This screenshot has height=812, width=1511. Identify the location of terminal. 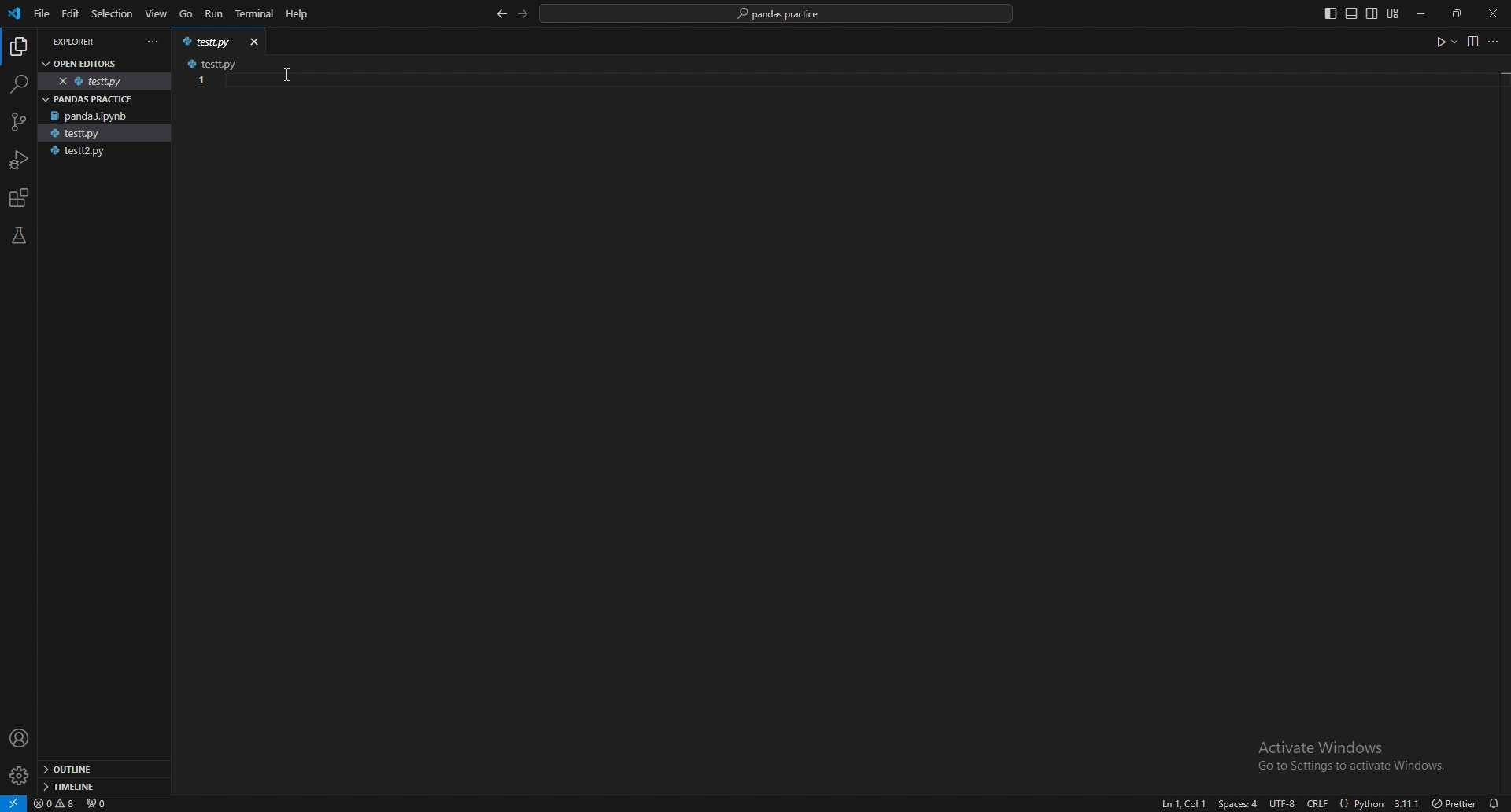
(256, 13).